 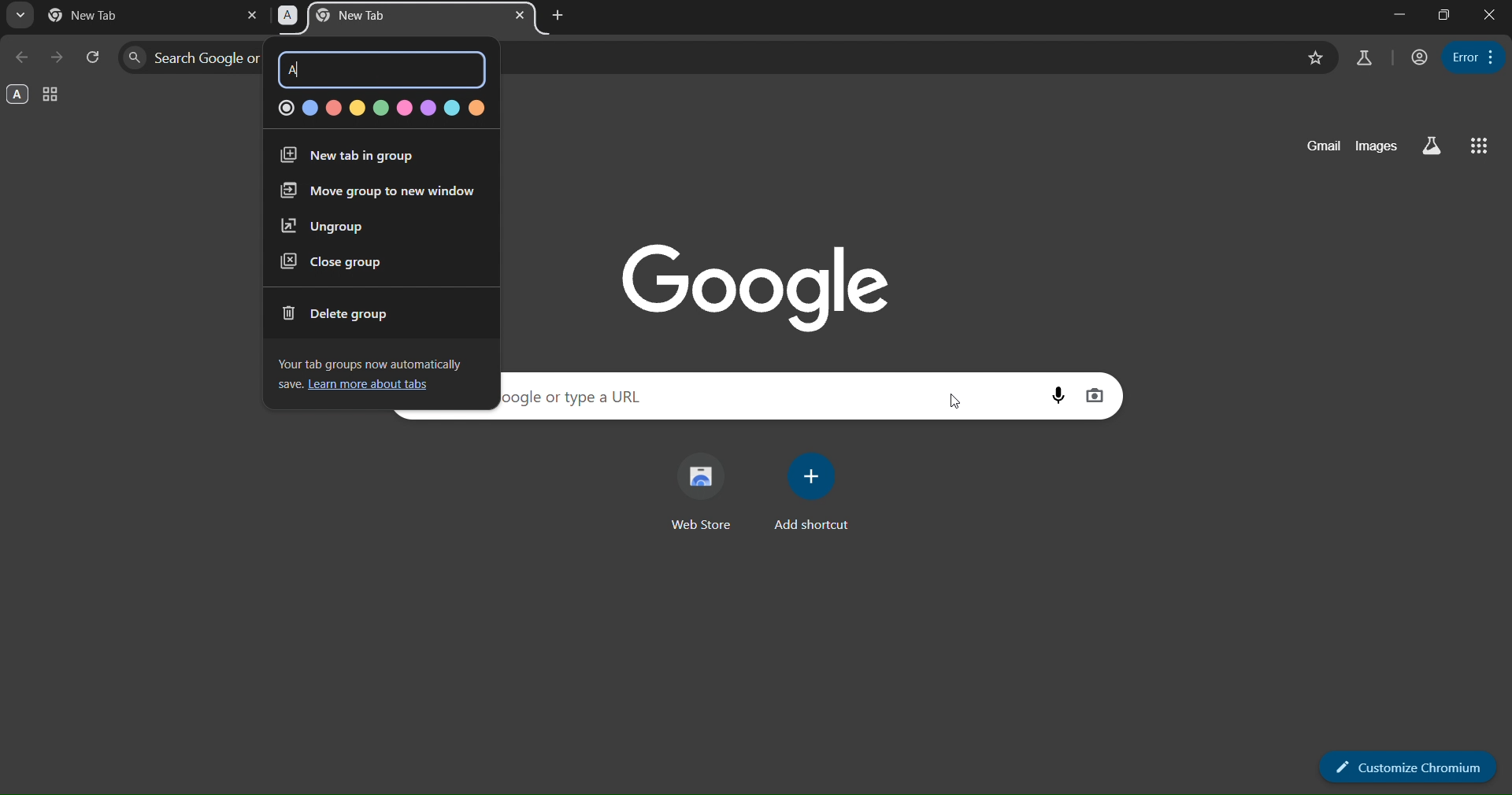 What do you see at coordinates (758, 285) in the screenshot?
I see `google` at bounding box center [758, 285].